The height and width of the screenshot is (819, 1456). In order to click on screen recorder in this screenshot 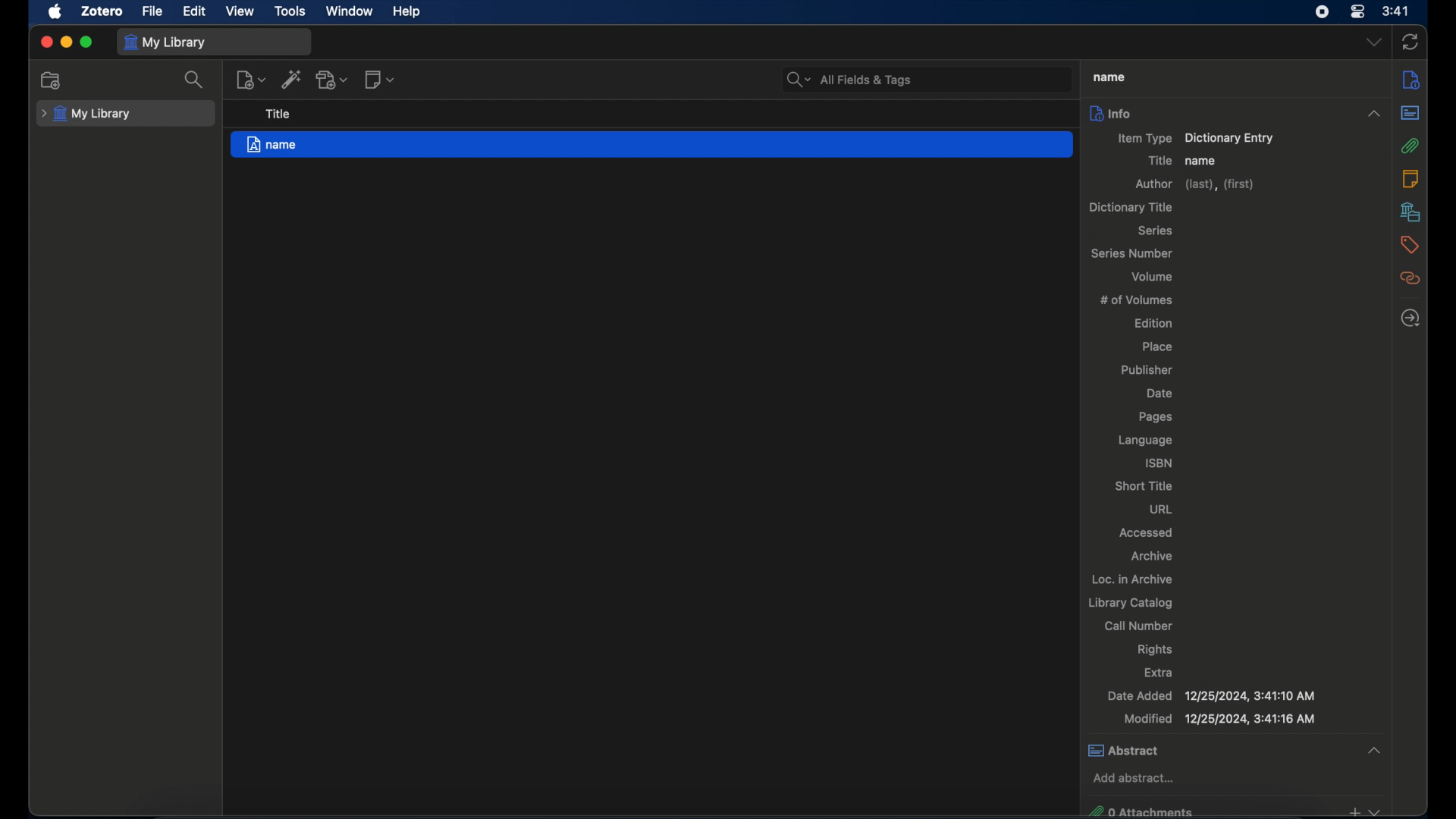, I will do `click(1323, 12)`.